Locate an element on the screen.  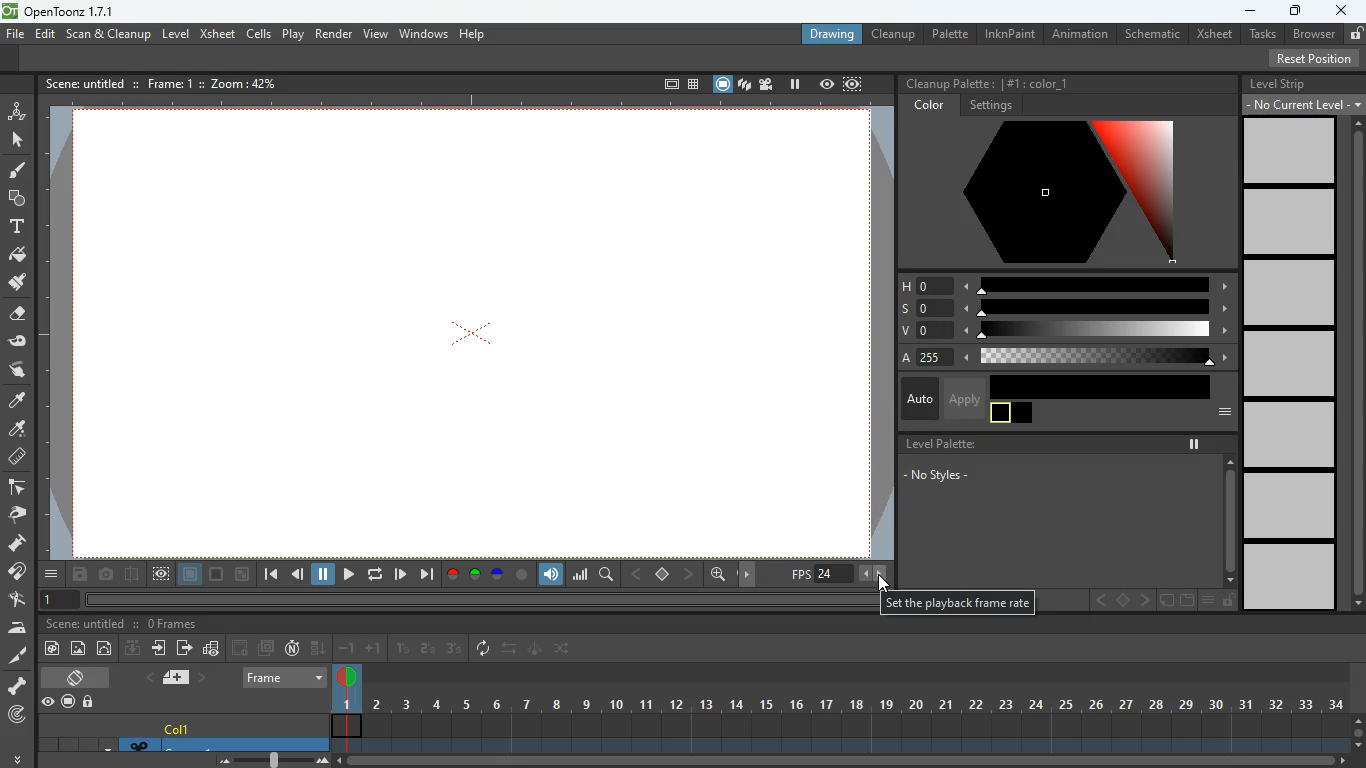
color is located at coordinates (1047, 193).